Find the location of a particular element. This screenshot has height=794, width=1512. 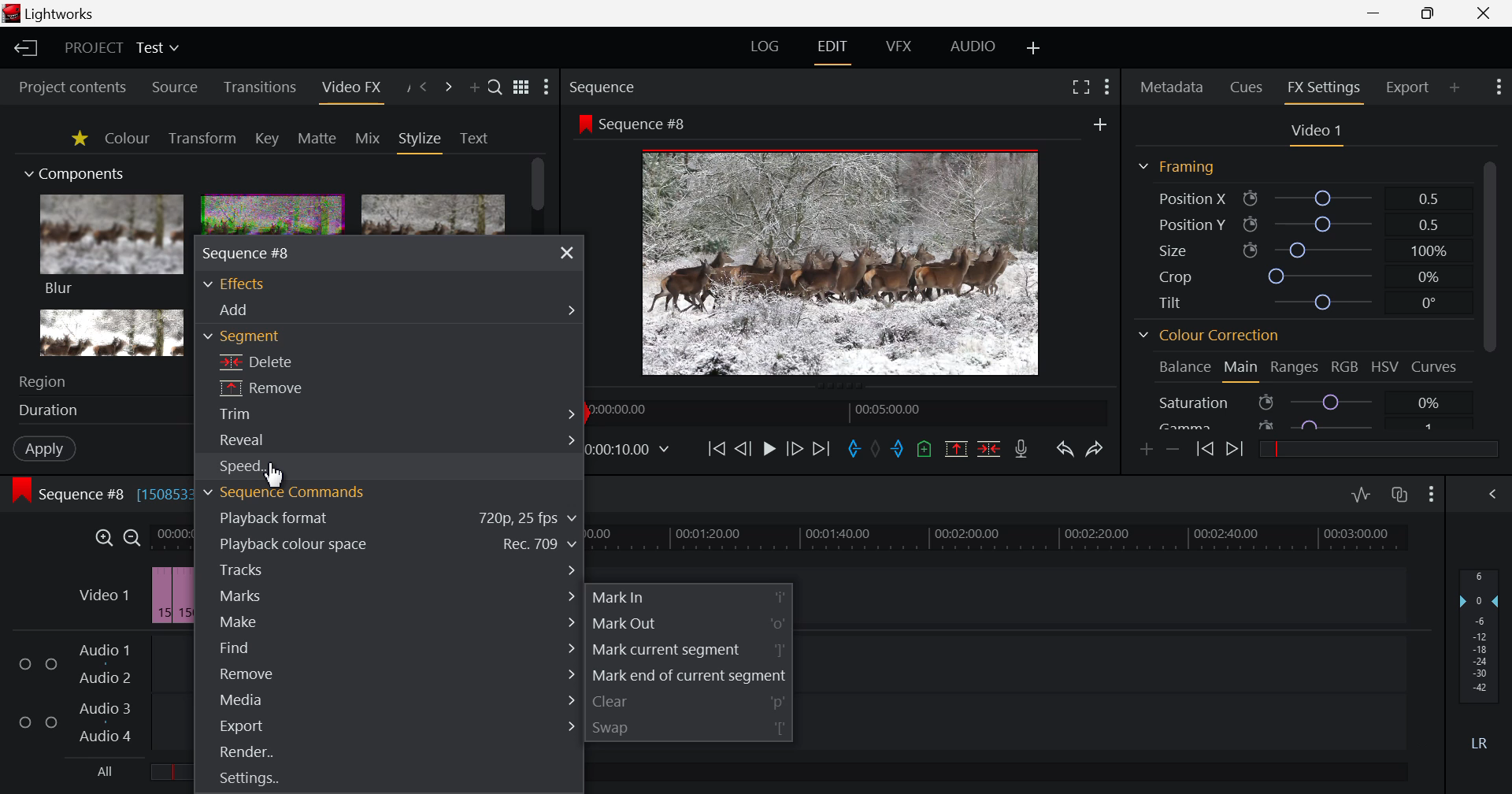

Favorites is located at coordinates (77, 139).